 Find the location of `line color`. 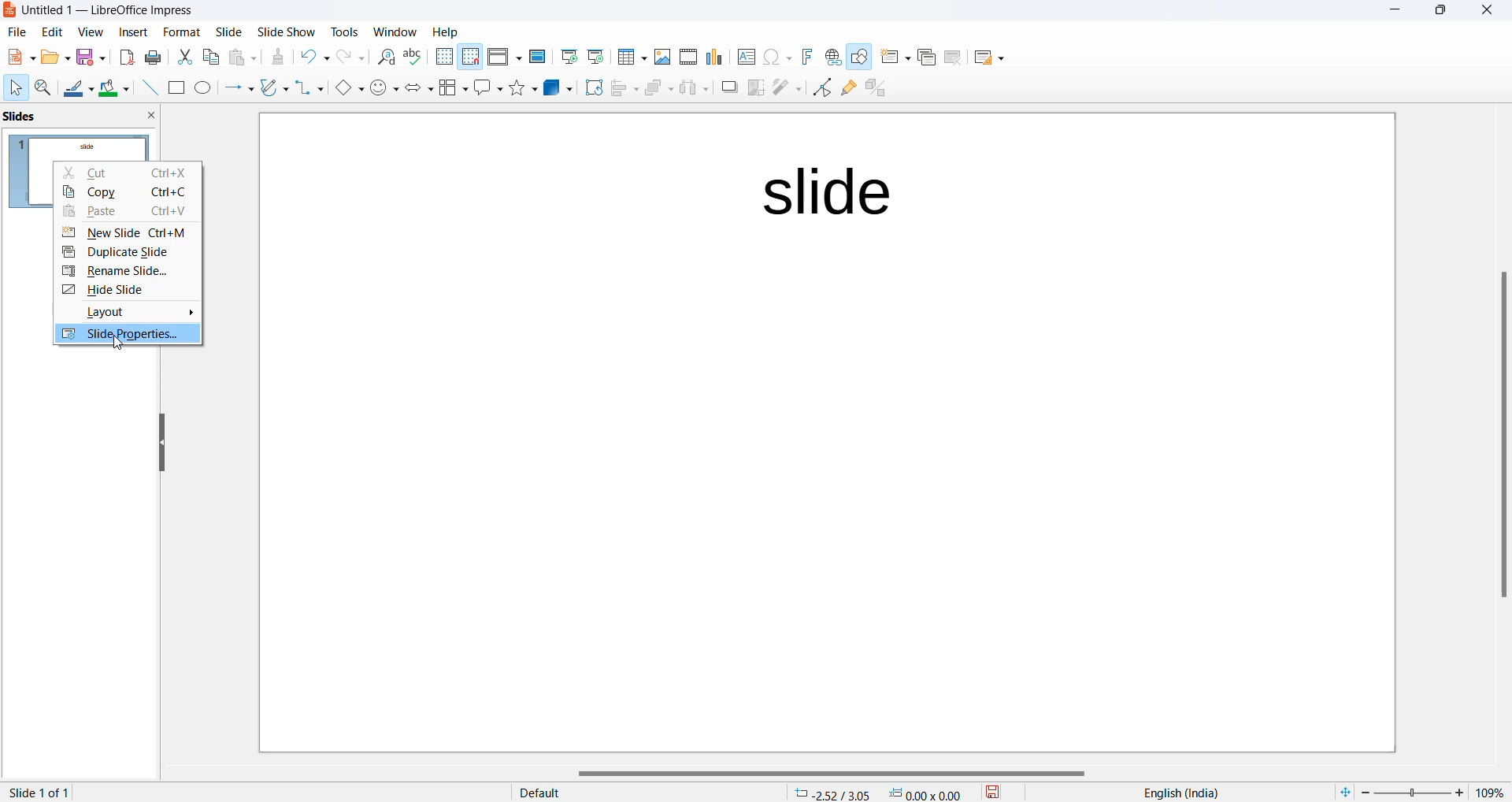

line color is located at coordinates (79, 90).